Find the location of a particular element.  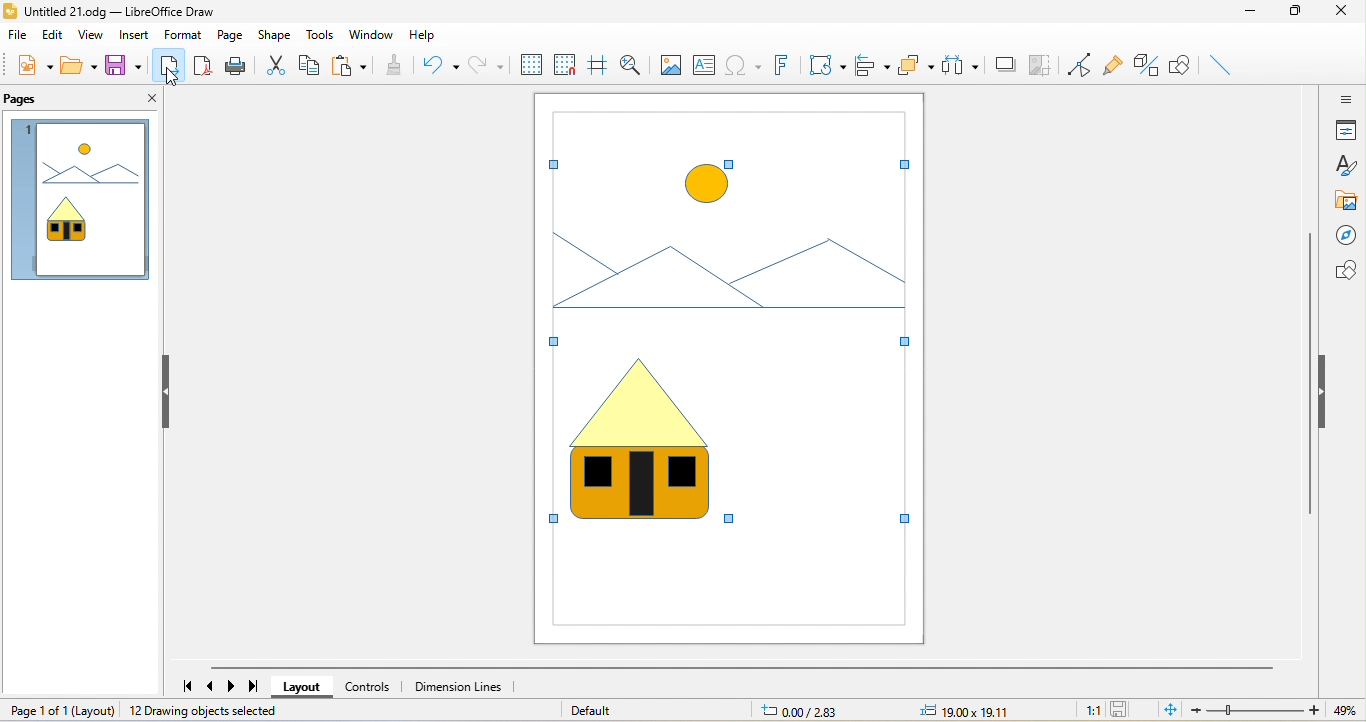

gallery is located at coordinates (1344, 201).